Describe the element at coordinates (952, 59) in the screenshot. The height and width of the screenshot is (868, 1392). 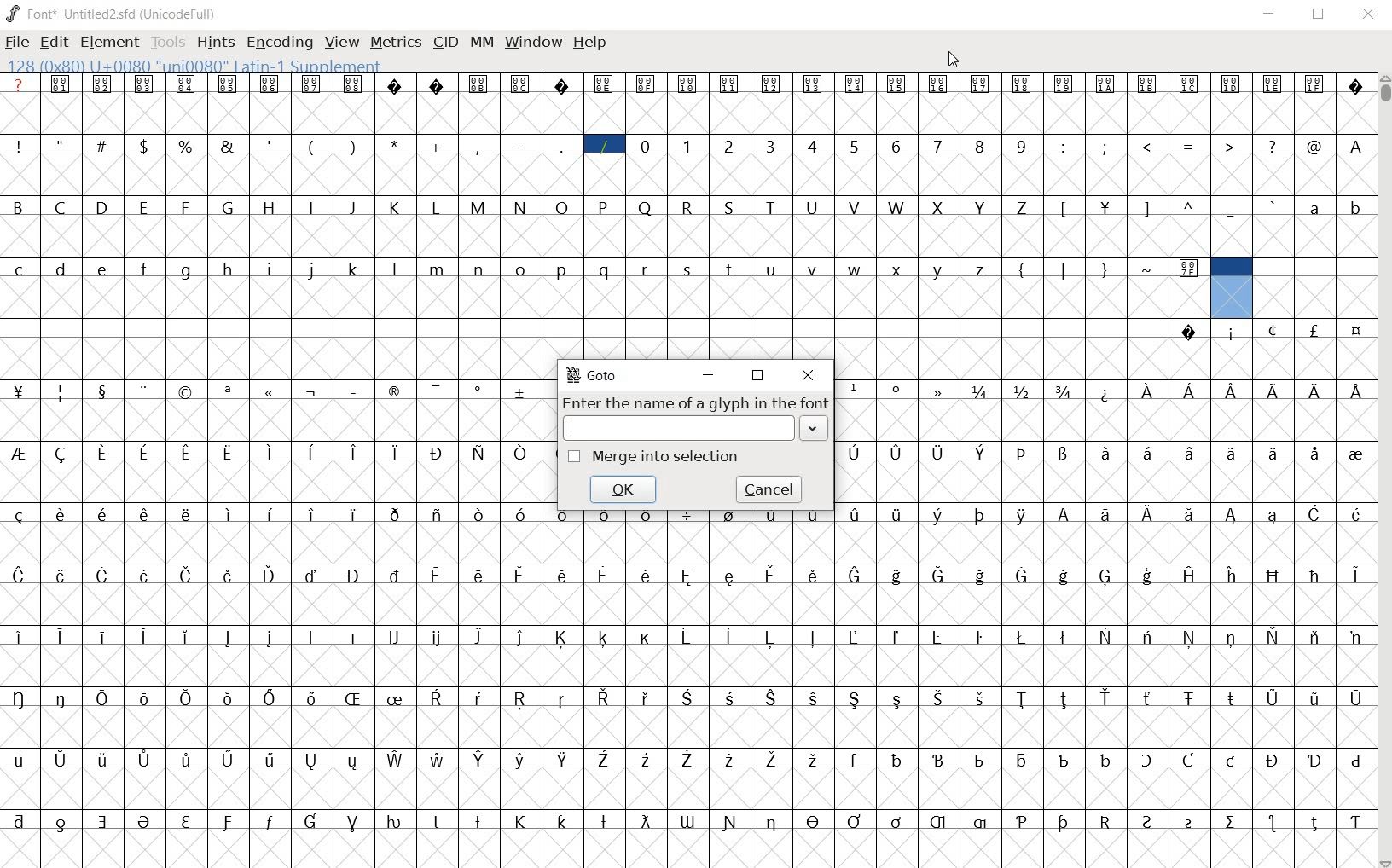
I see `Cursor` at that location.